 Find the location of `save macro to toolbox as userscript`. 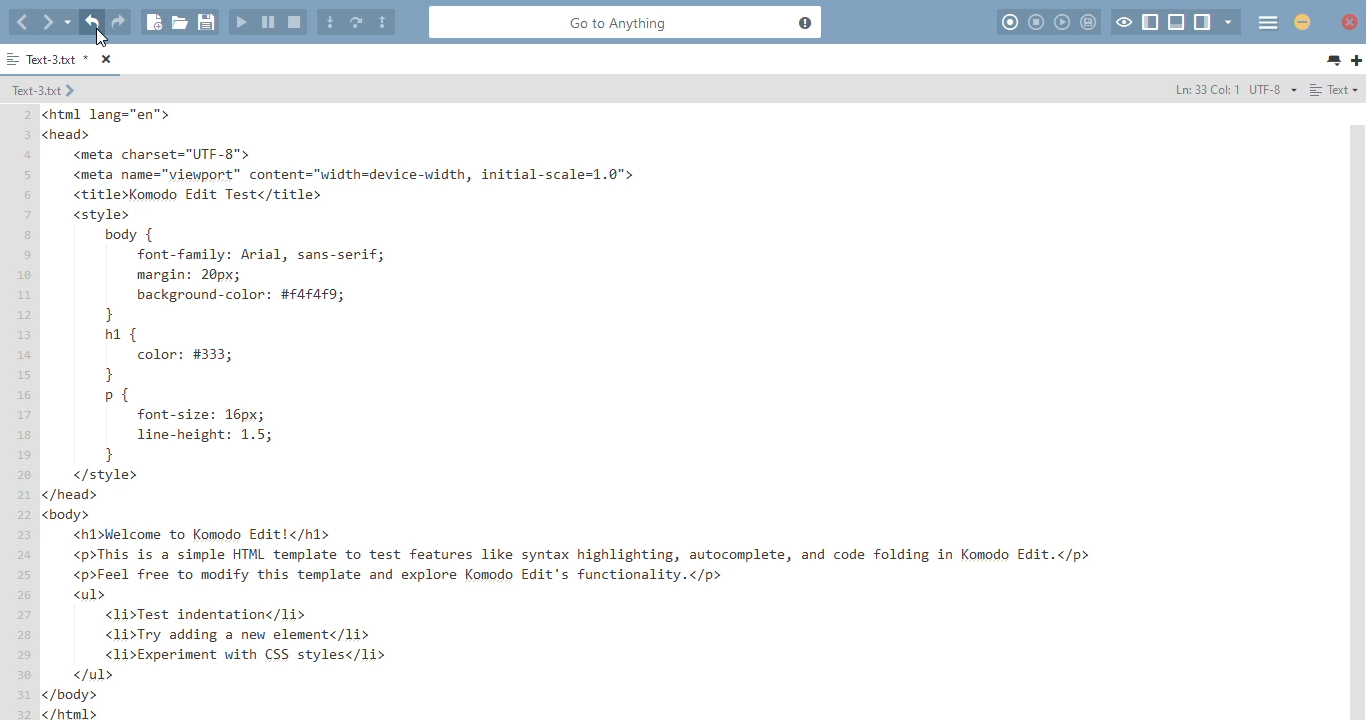

save macro to toolbox as userscript is located at coordinates (1089, 22).